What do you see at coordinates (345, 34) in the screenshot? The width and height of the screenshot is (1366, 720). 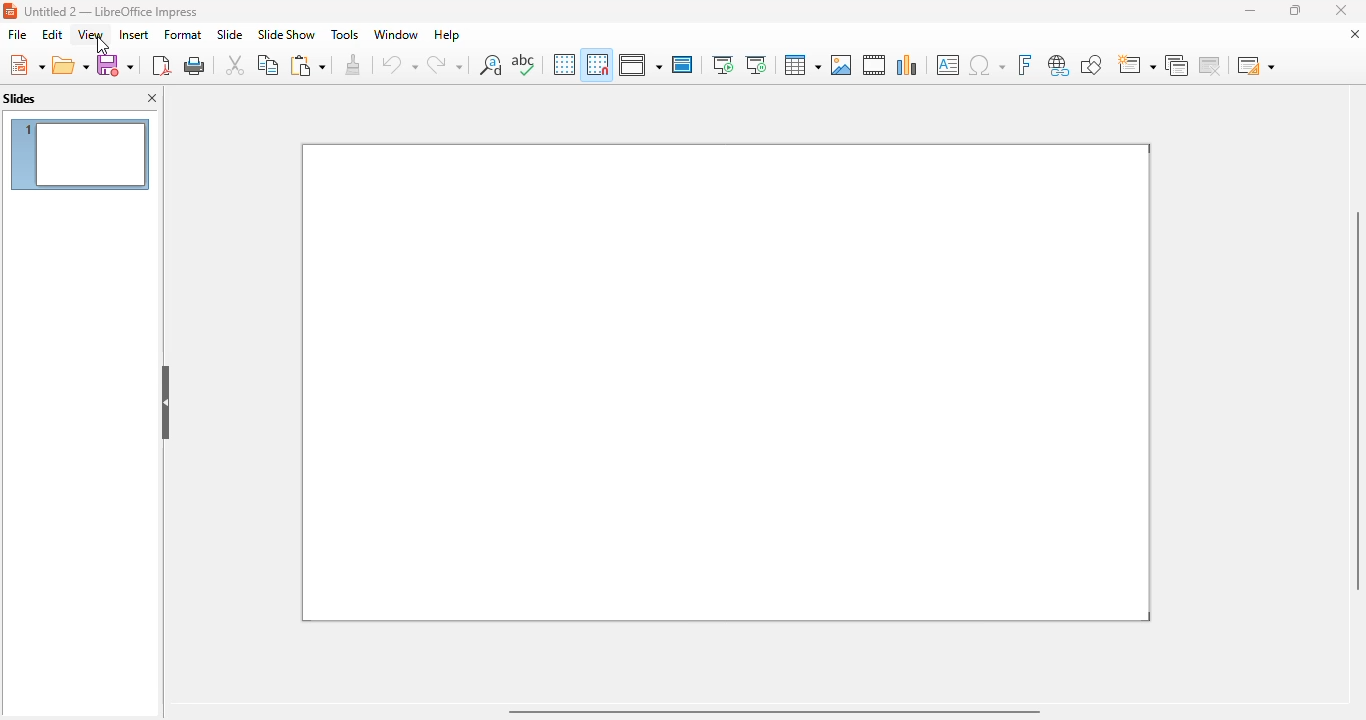 I see `tools` at bounding box center [345, 34].